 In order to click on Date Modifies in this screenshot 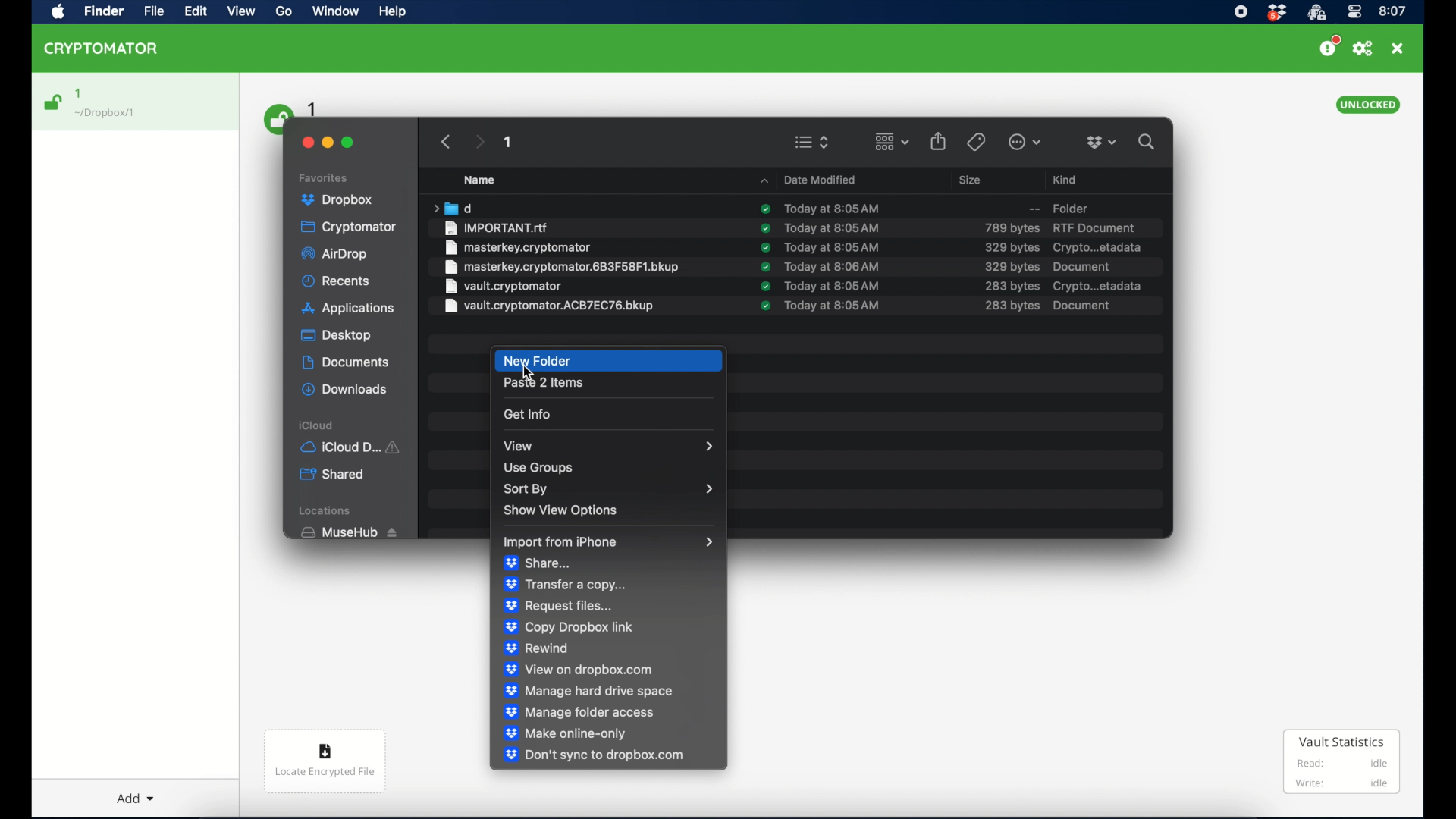, I will do `click(811, 177)`.